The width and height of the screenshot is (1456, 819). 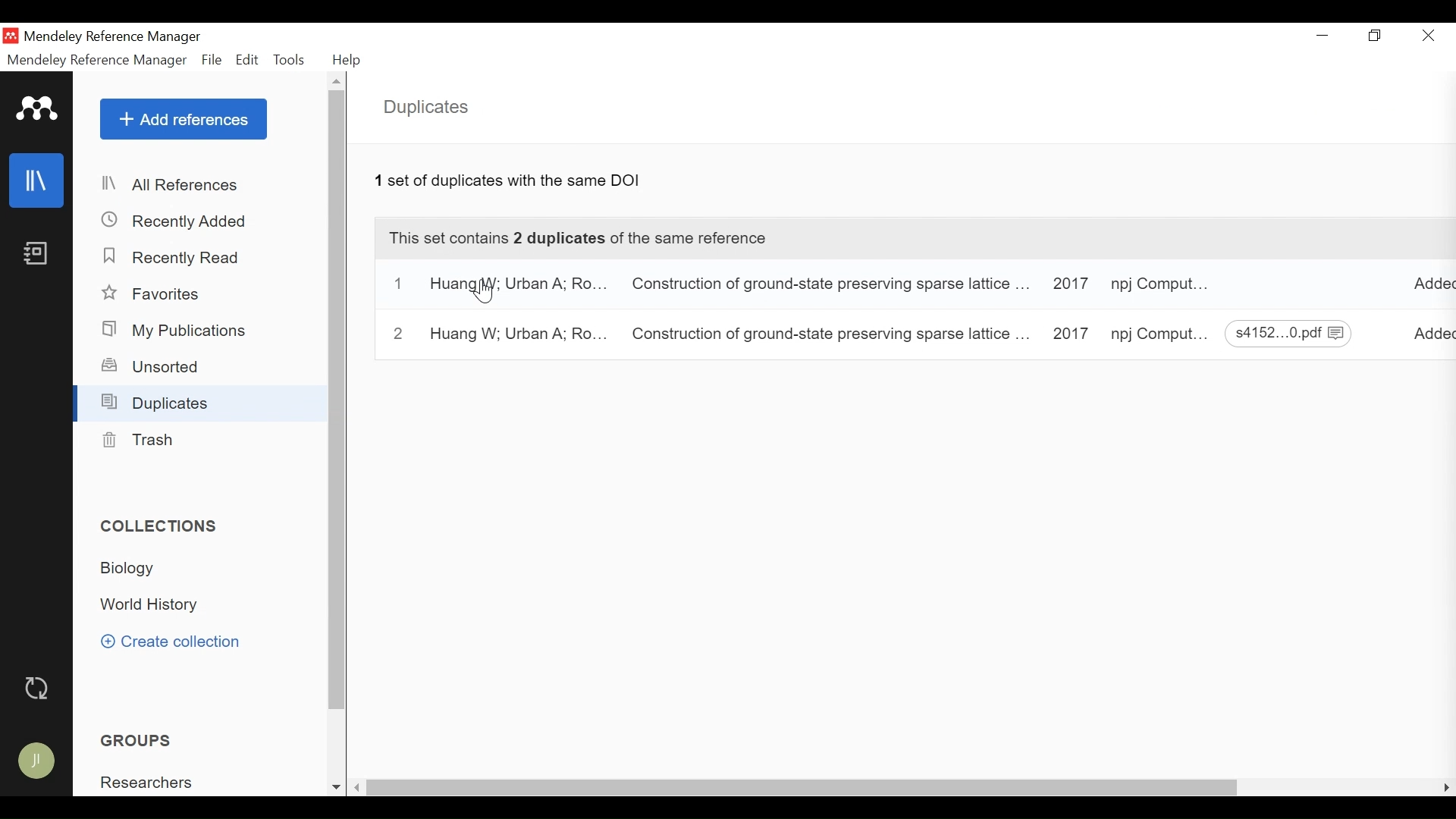 I want to click on Scroll Right, so click(x=1446, y=789).